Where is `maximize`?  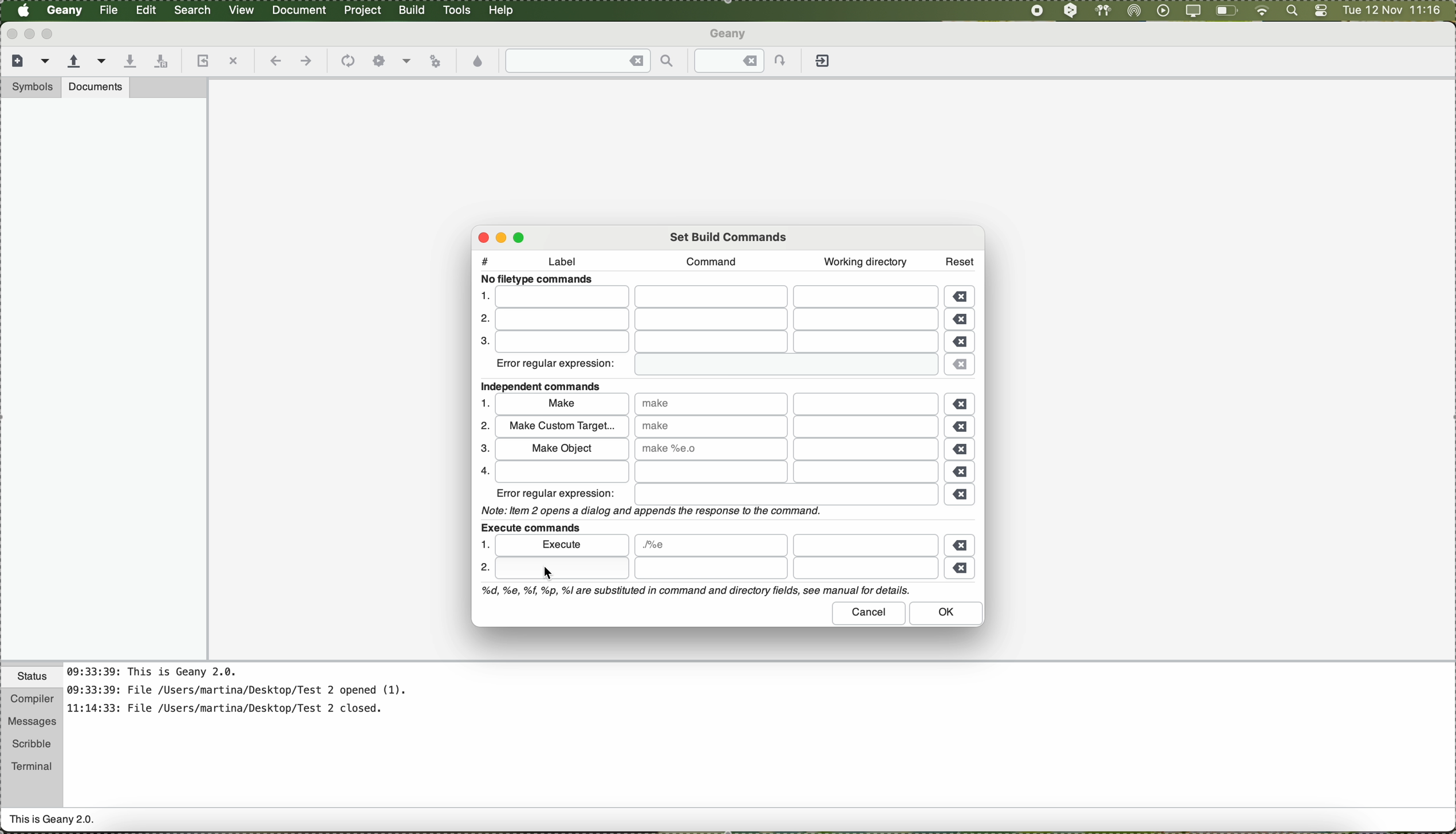 maximize is located at coordinates (522, 236).